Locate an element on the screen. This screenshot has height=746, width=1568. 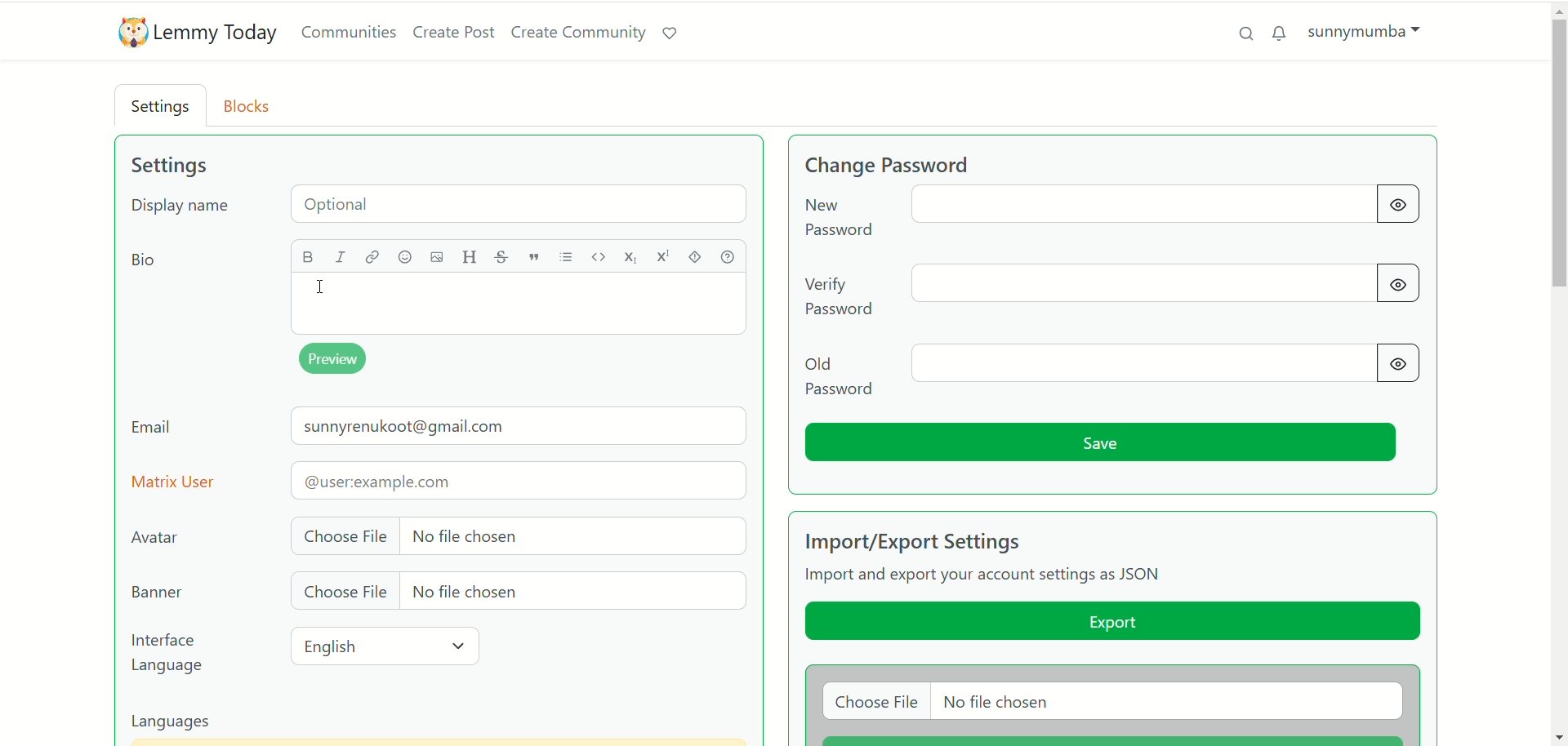
lemmy today is located at coordinates (218, 34).